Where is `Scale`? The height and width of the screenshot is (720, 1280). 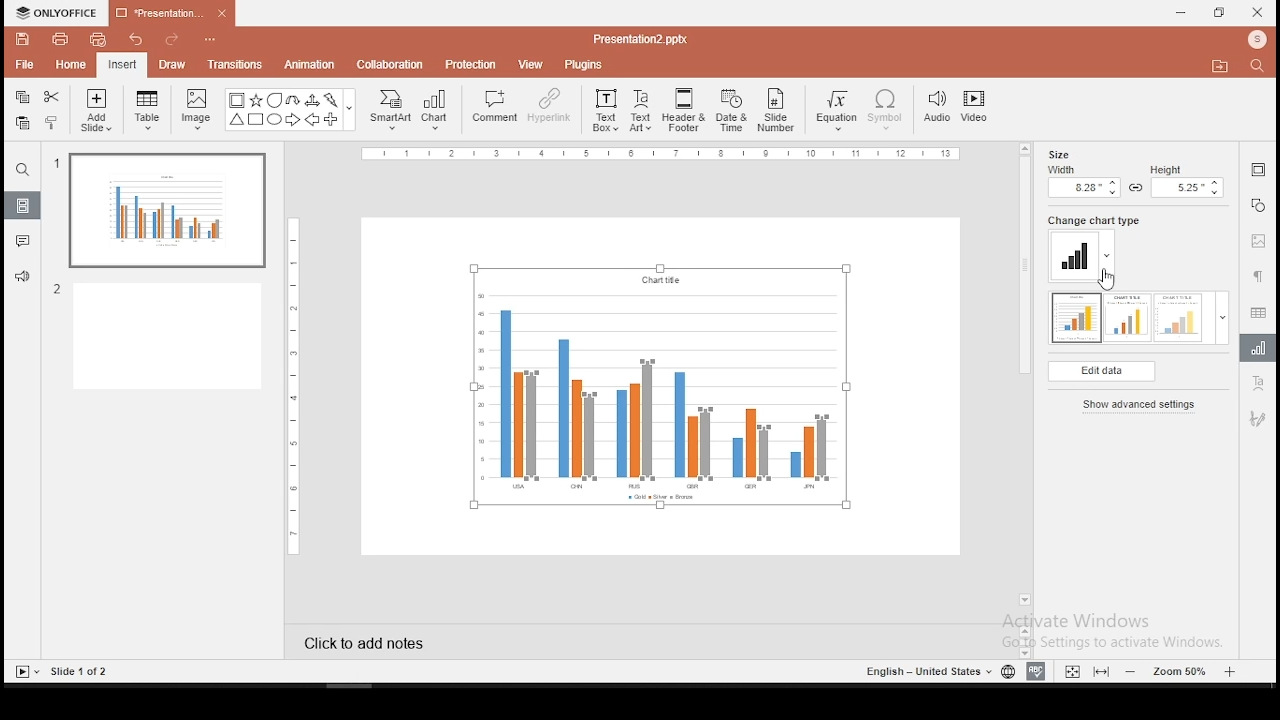
Scale is located at coordinates (659, 154).